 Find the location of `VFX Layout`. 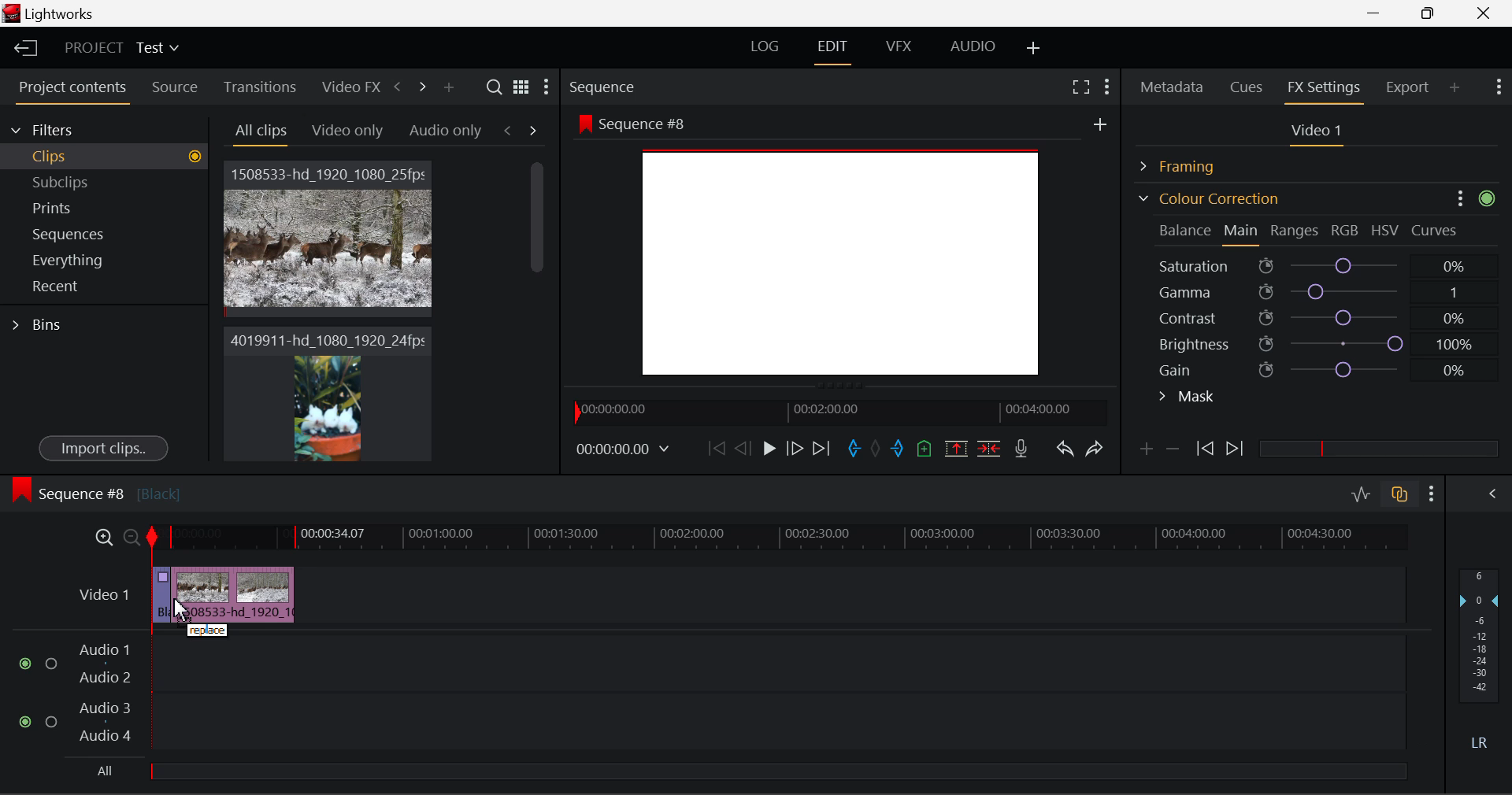

VFX Layout is located at coordinates (902, 48).